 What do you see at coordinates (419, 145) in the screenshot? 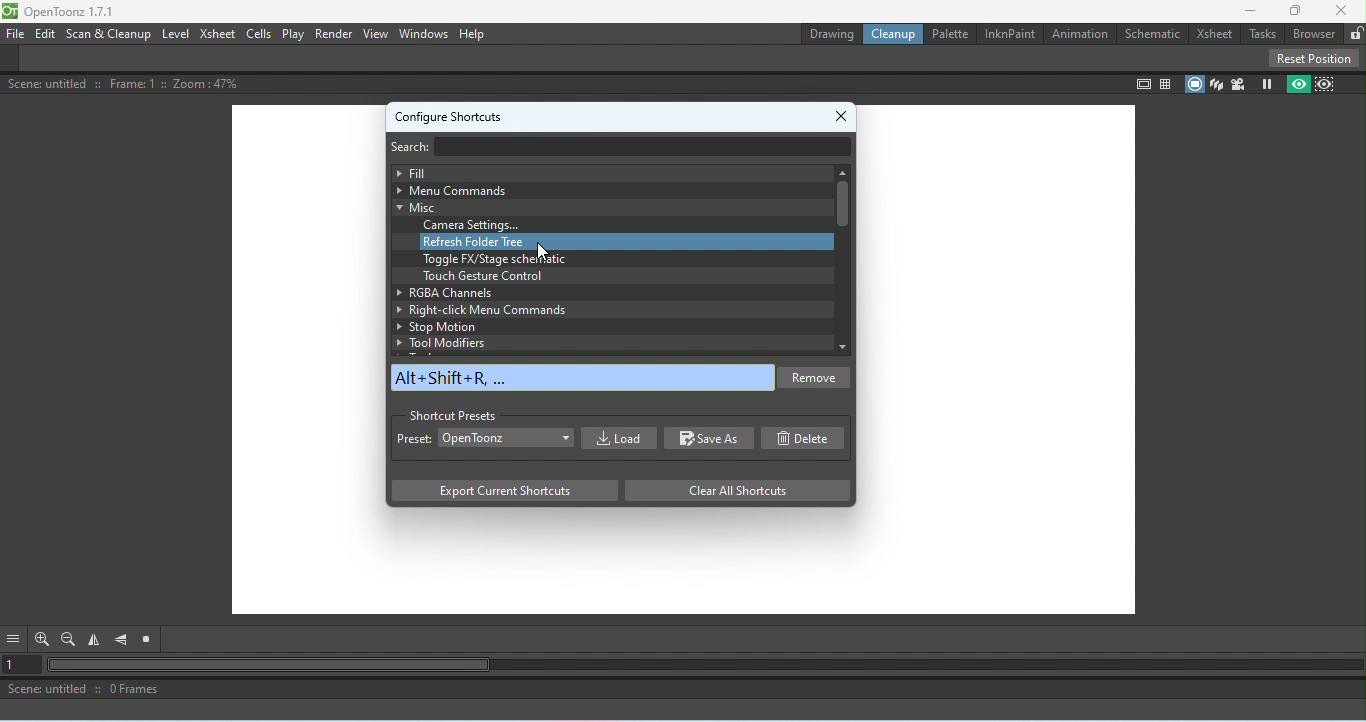
I see `Search` at bounding box center [419, 145].